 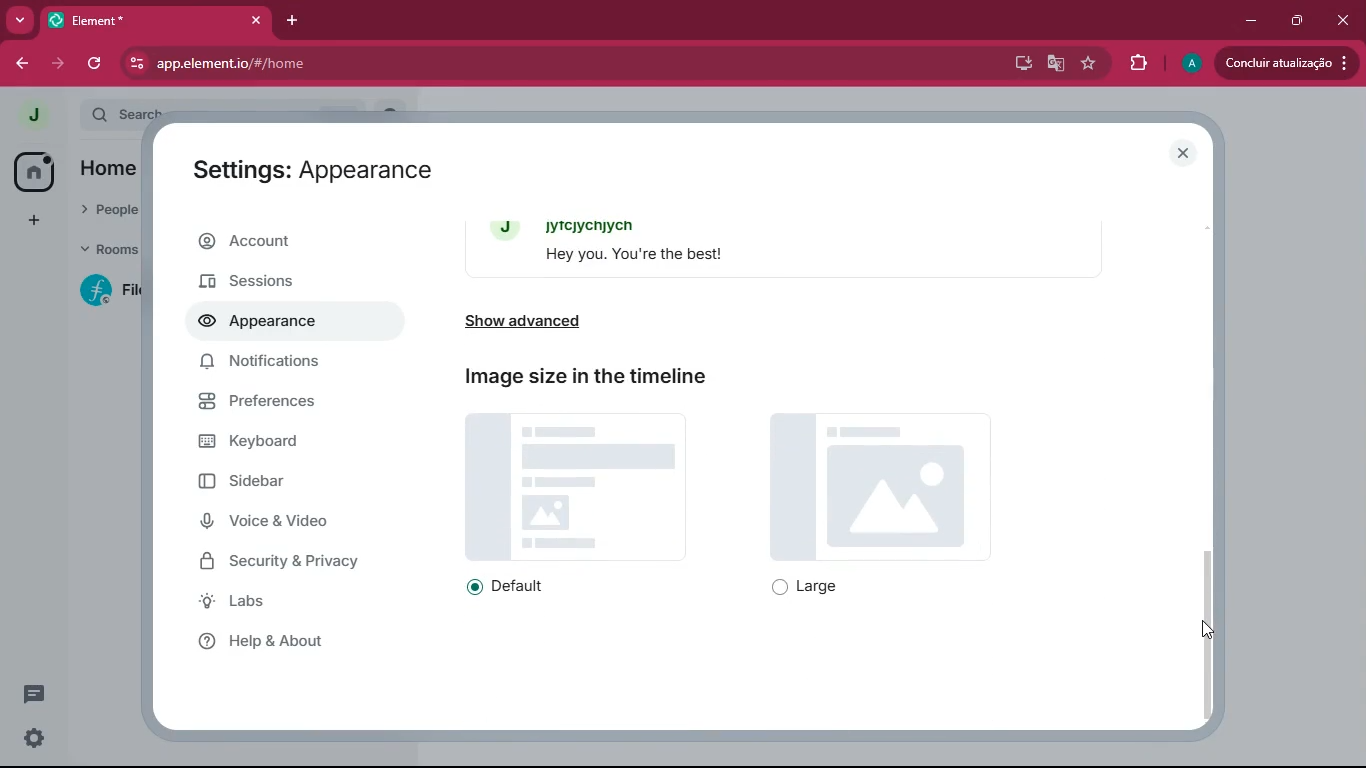 I want to click on forward, so click(x=61, y=64).